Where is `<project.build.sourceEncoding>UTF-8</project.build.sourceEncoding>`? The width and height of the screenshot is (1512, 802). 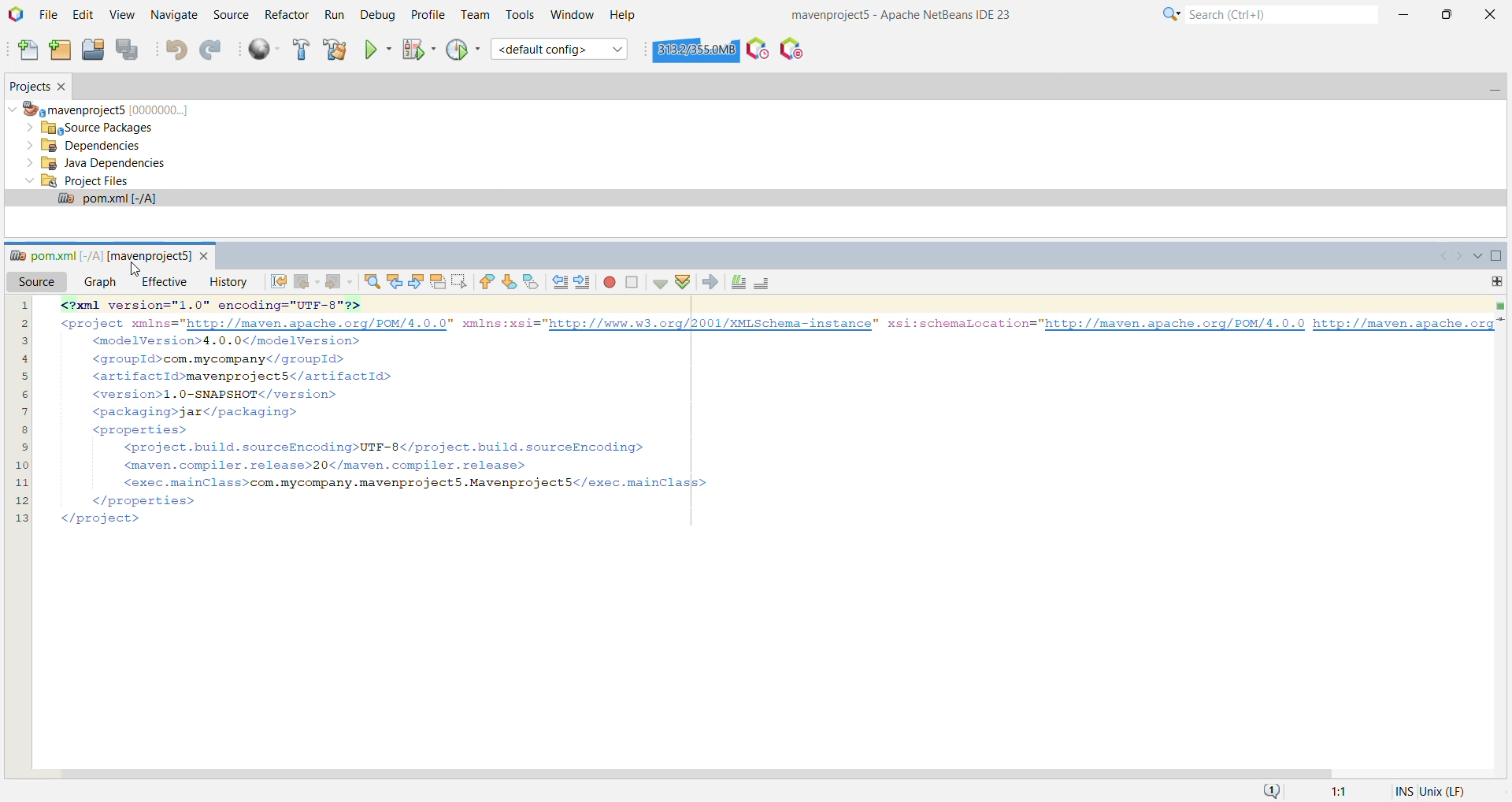 <project.build.sourceEncoding>UTF-8</project.build.sourceEncoding> is located at coordinates (389, 446).